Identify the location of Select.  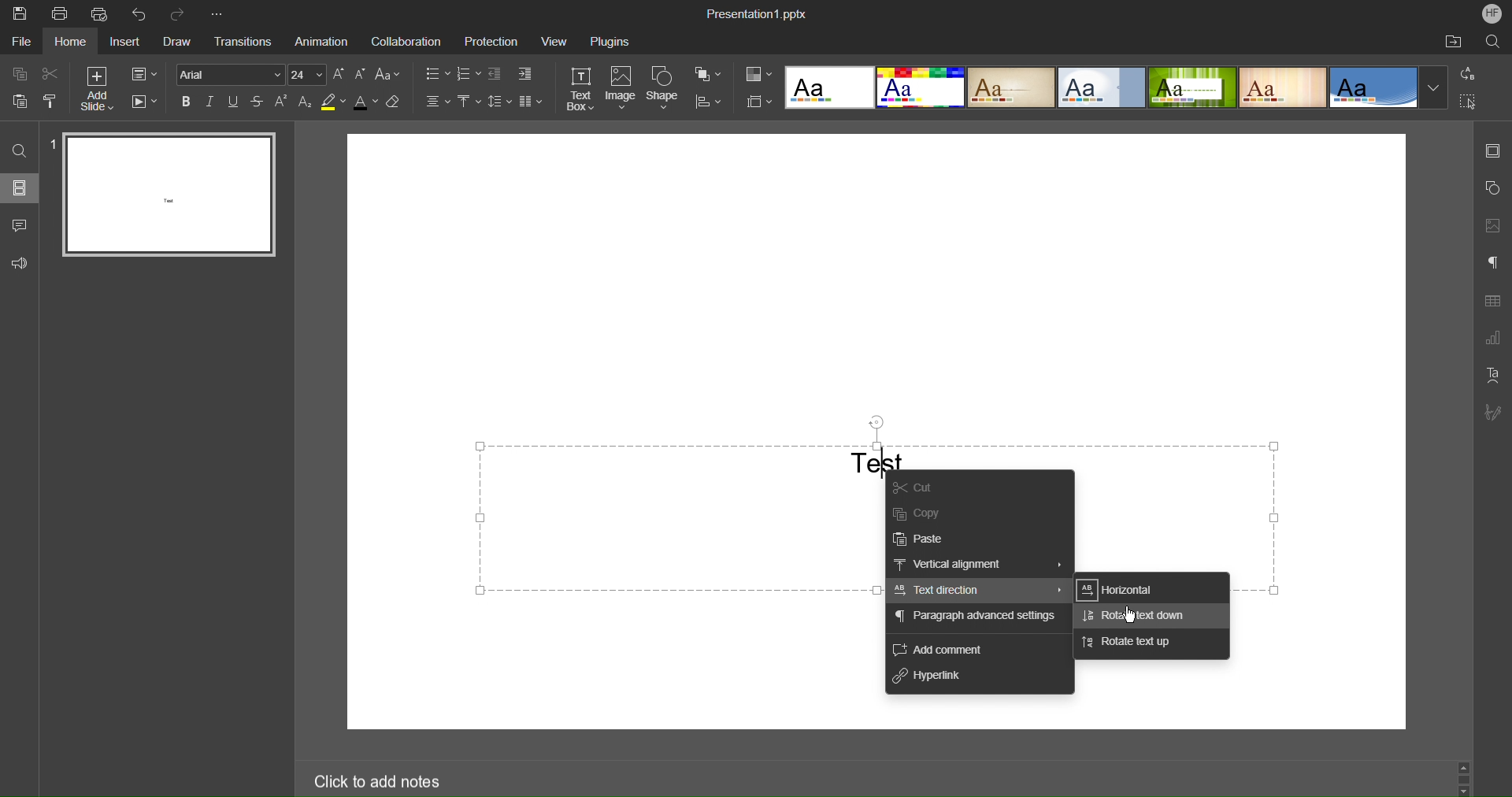
(1469, 102).